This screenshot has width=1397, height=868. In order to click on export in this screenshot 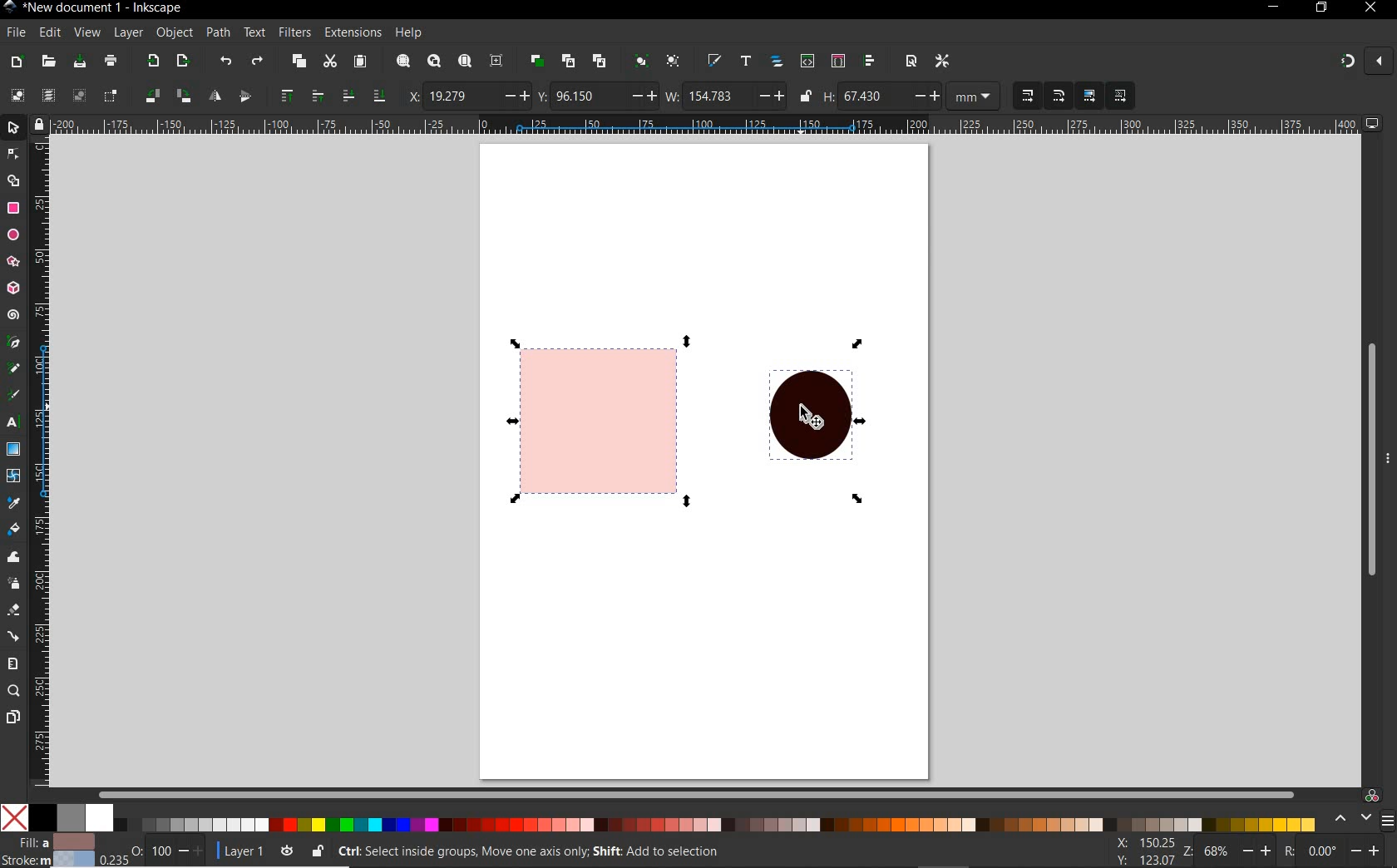, I will do `click(153, 60)`.